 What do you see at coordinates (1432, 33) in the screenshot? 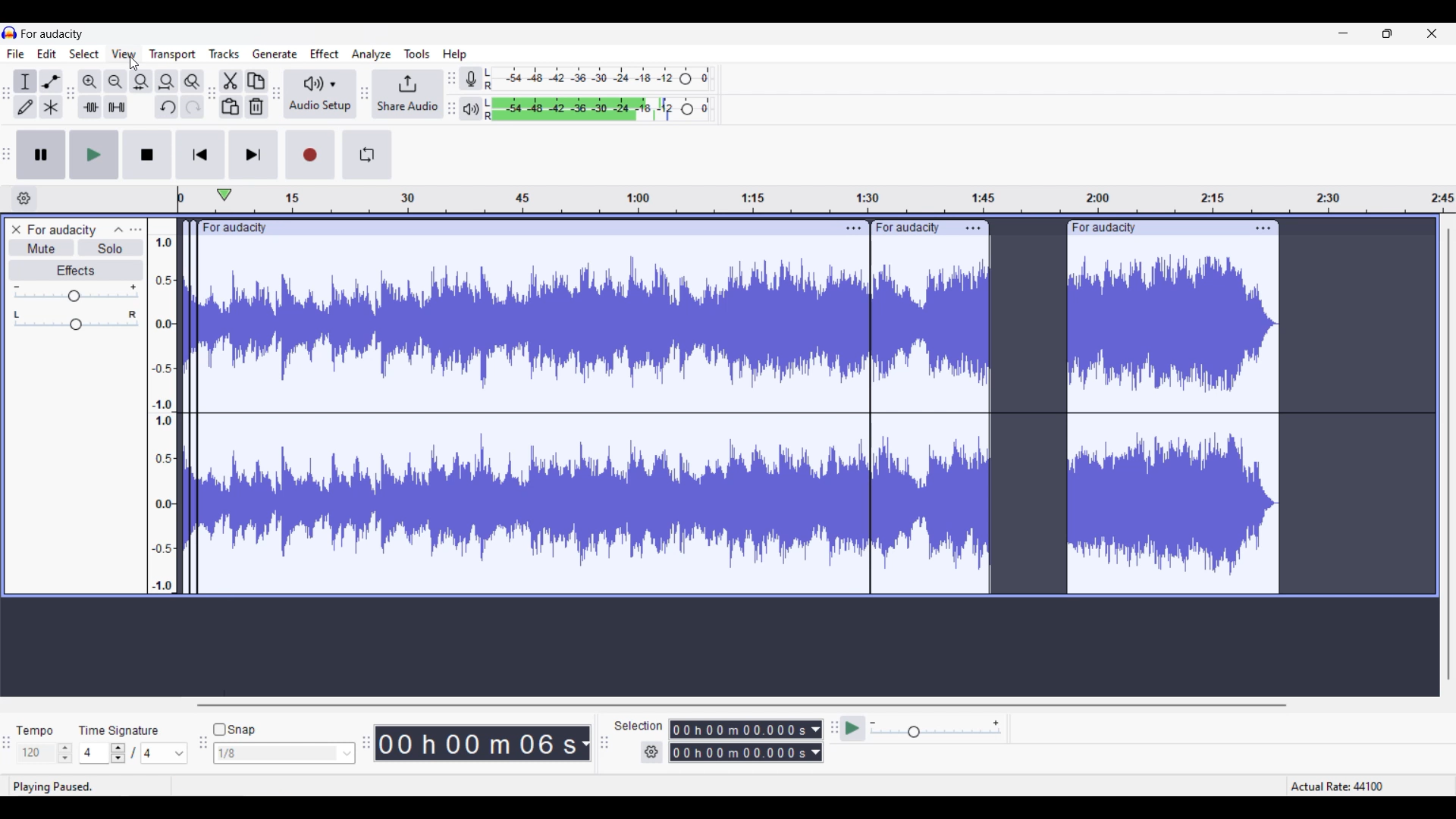
I see `Close interface` at bounding box center [1432, 33].